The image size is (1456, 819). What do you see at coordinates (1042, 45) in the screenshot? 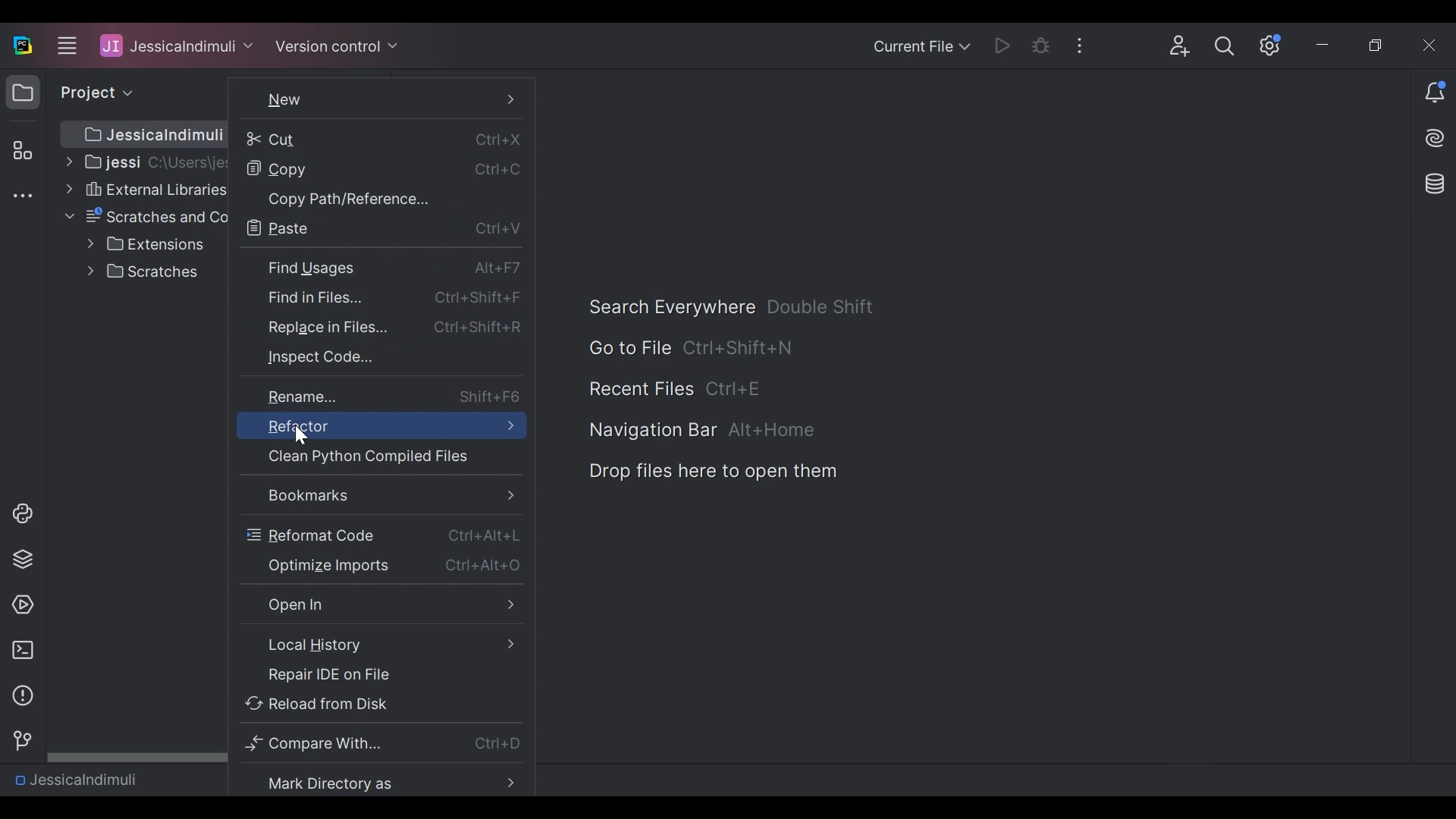
I see `Debug` at bounding box center [1042, 45].